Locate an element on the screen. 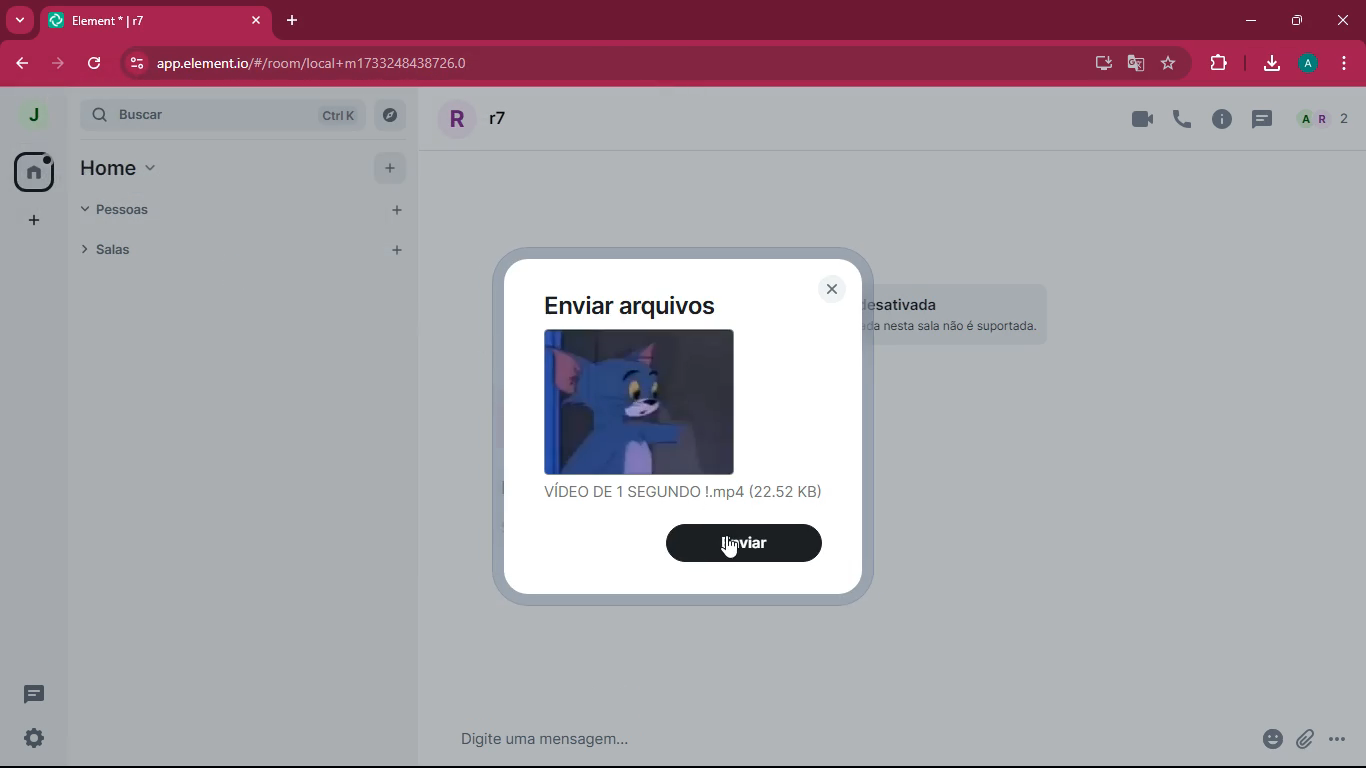 The image size is (1366, 768). settings is located at coordinates (33, 739).